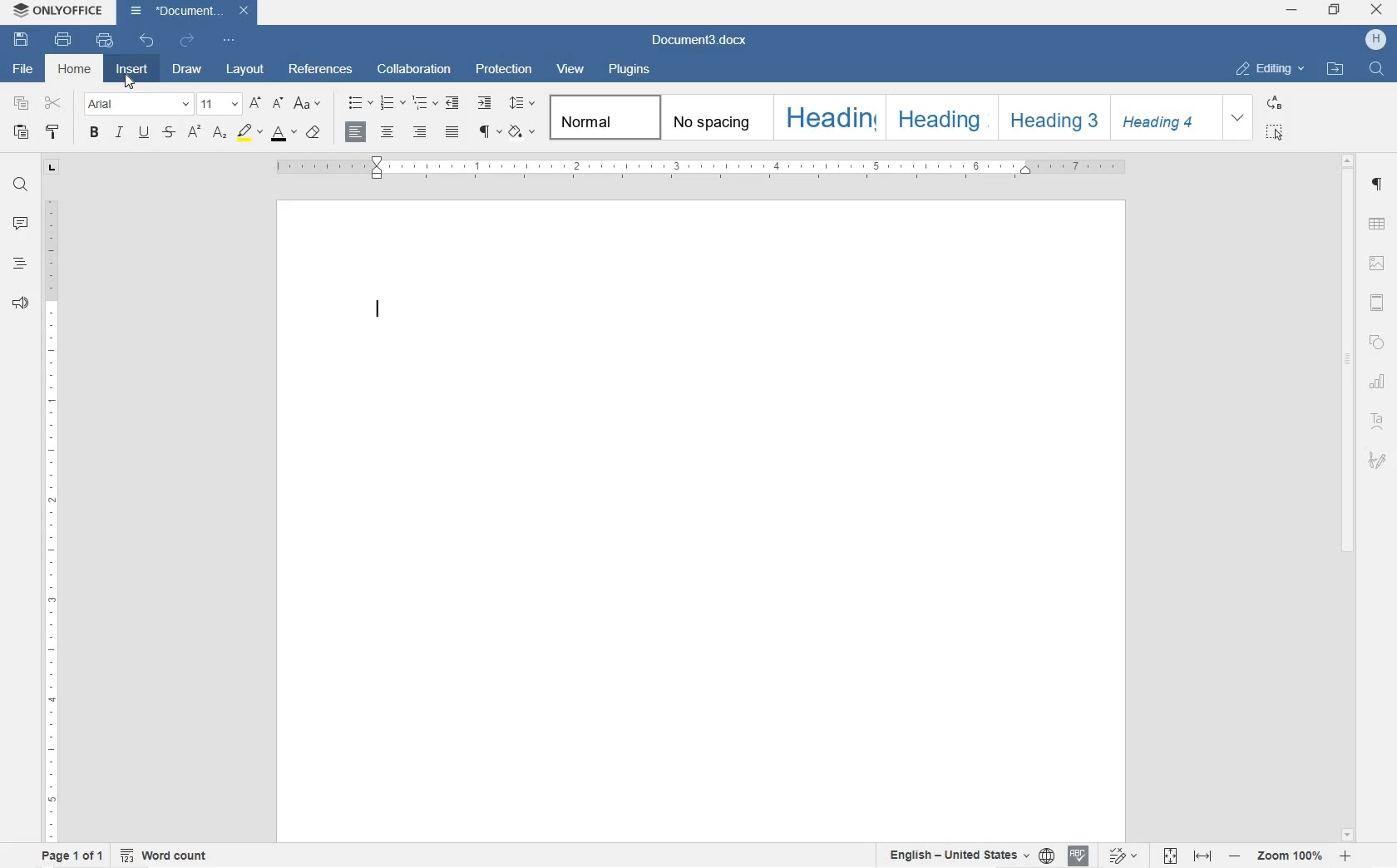 Image resolution: width=1397 pixels, height=868 pixels. I want to click on JUSTIFIED, so click(452, 132).